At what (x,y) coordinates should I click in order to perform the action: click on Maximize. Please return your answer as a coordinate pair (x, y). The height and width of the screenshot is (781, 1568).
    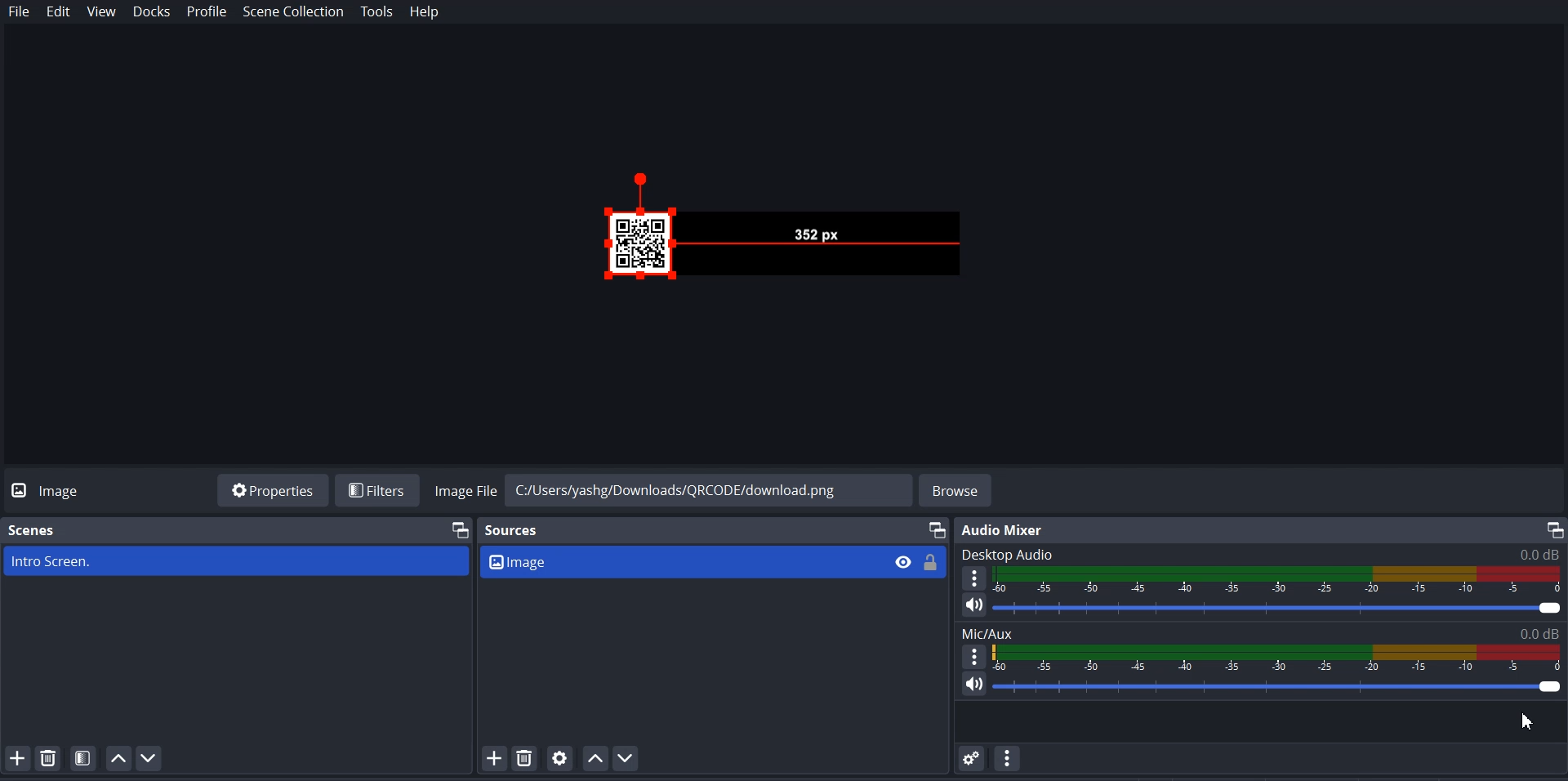
    Looking at the image, I should click on (937, 529).